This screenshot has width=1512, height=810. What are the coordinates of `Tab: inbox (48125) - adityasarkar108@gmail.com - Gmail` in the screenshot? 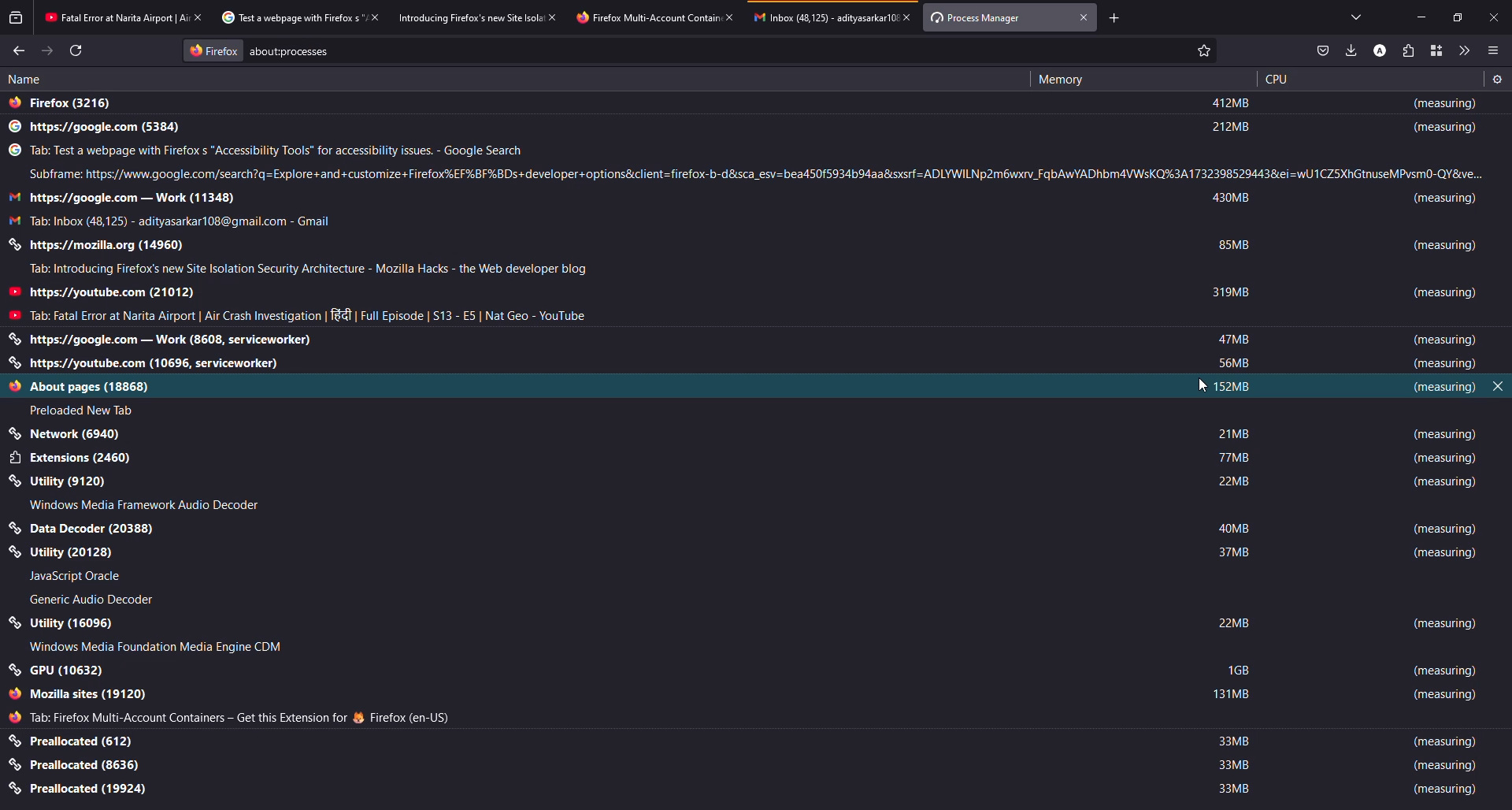 It's located at (172, 221).